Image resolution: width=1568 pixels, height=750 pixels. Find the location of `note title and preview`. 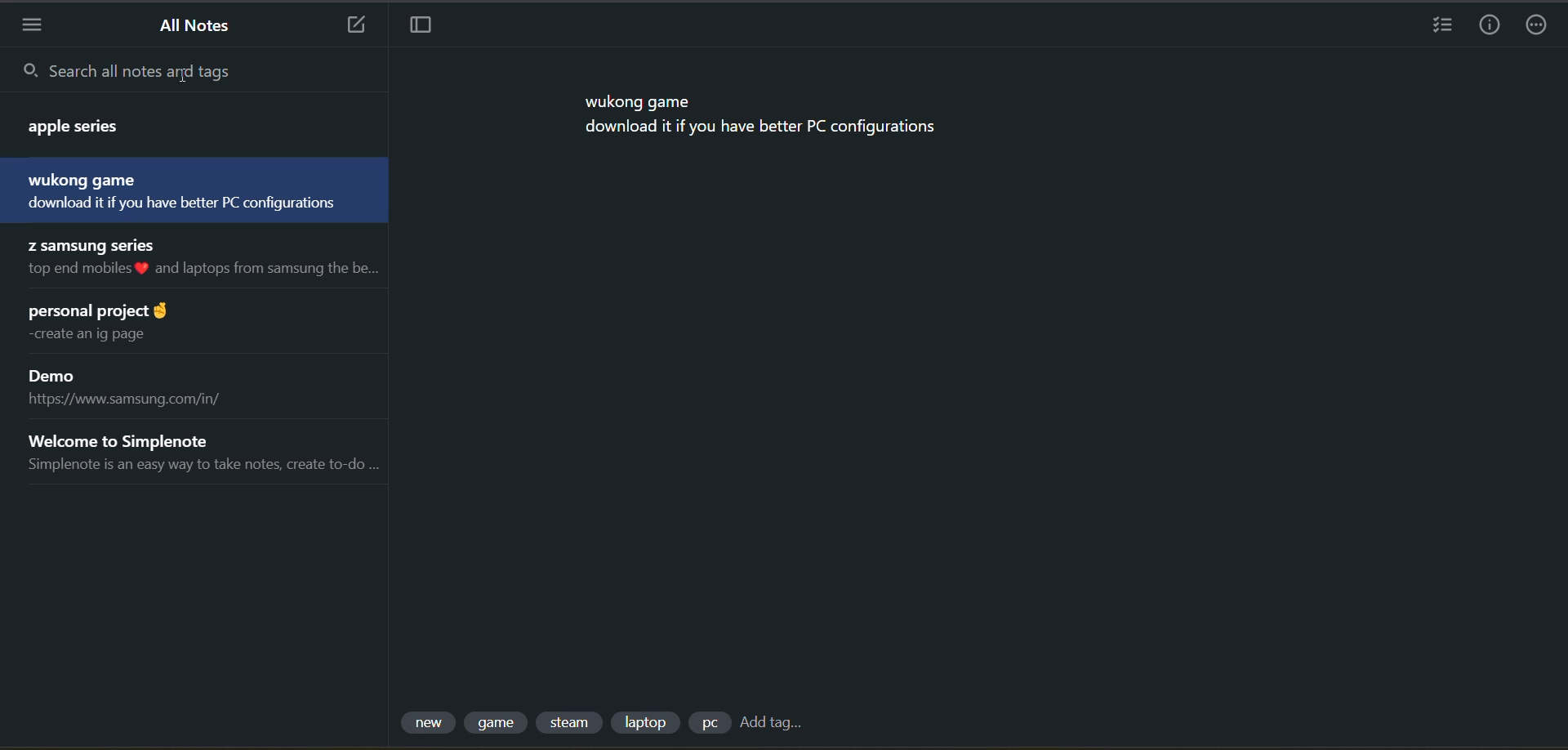

note title and preview is located at coordinates (117, 323).